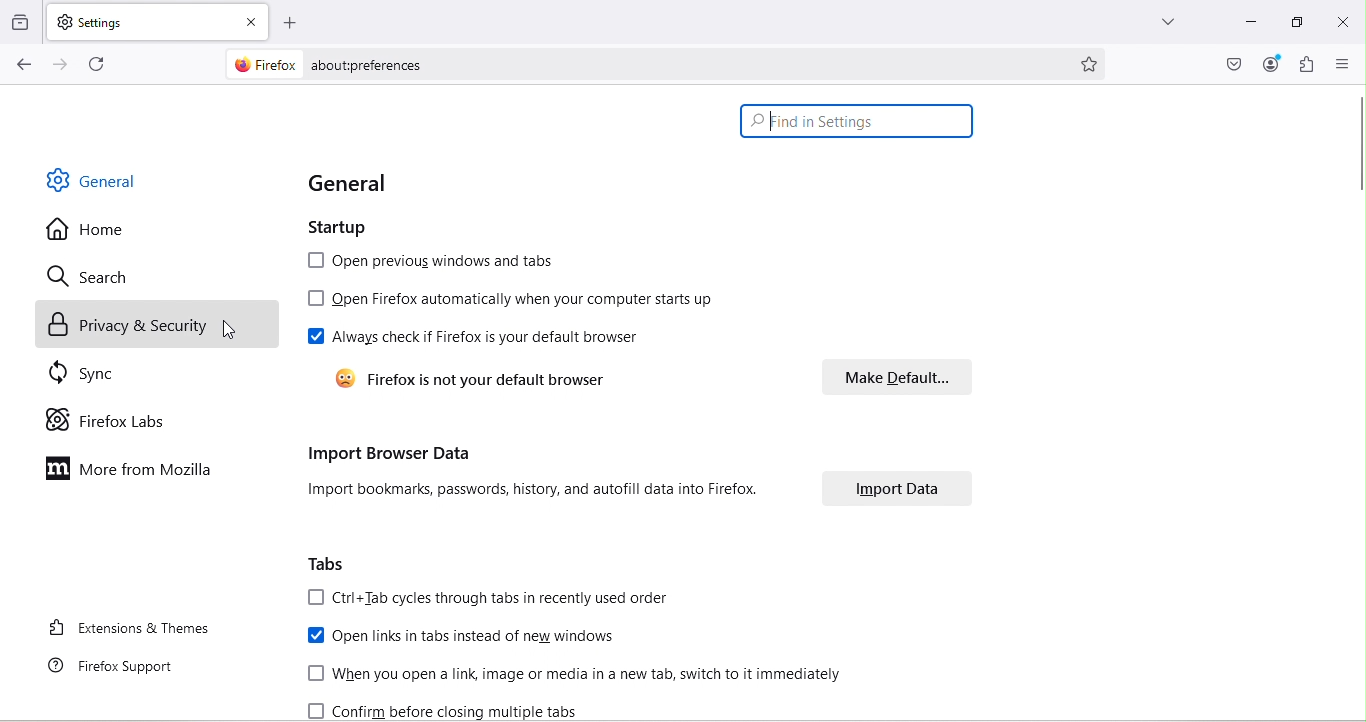 This screenshot has height=722, width=1366. Describe the element at coordinates (1167, 25) in the screenshot. I see `List all tabs` at that location.